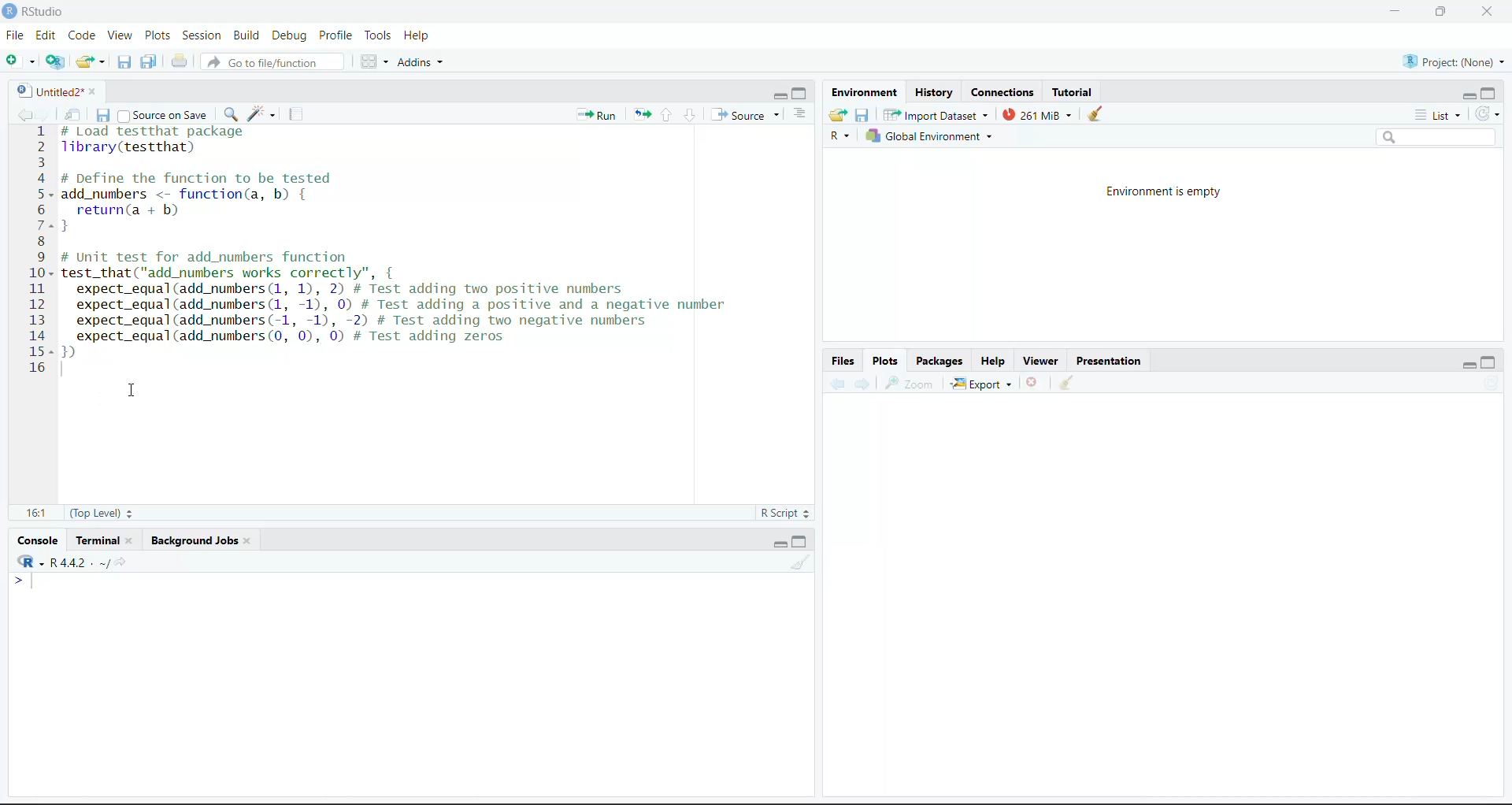 The image size is (1512, 805). Describe the element at coordinates (1490, 91) in the screenshot. I see `maximize` at that location.